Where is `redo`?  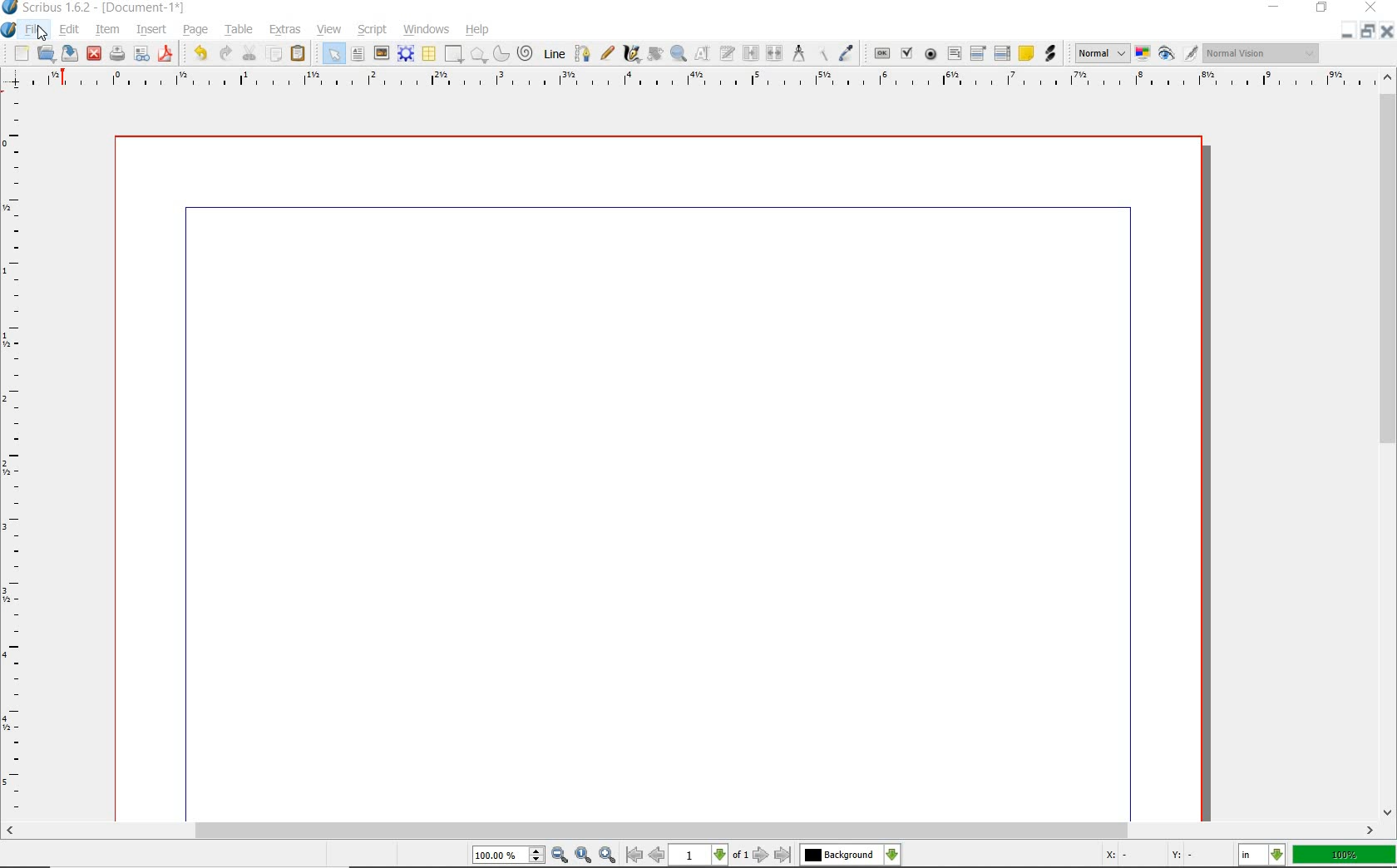
redo is located at coordinates (227, 54).